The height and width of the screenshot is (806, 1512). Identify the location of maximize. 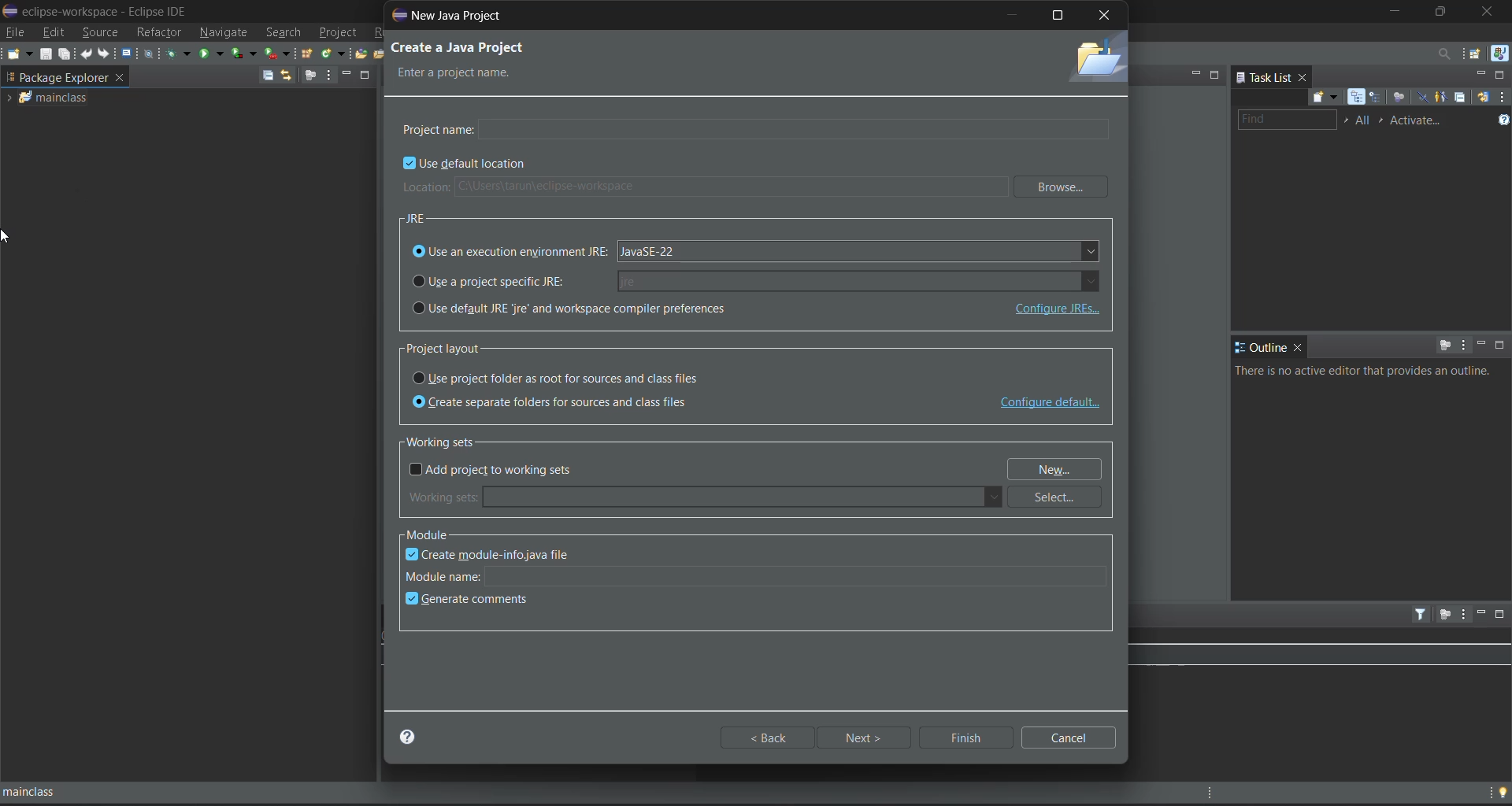
(1059, 15).